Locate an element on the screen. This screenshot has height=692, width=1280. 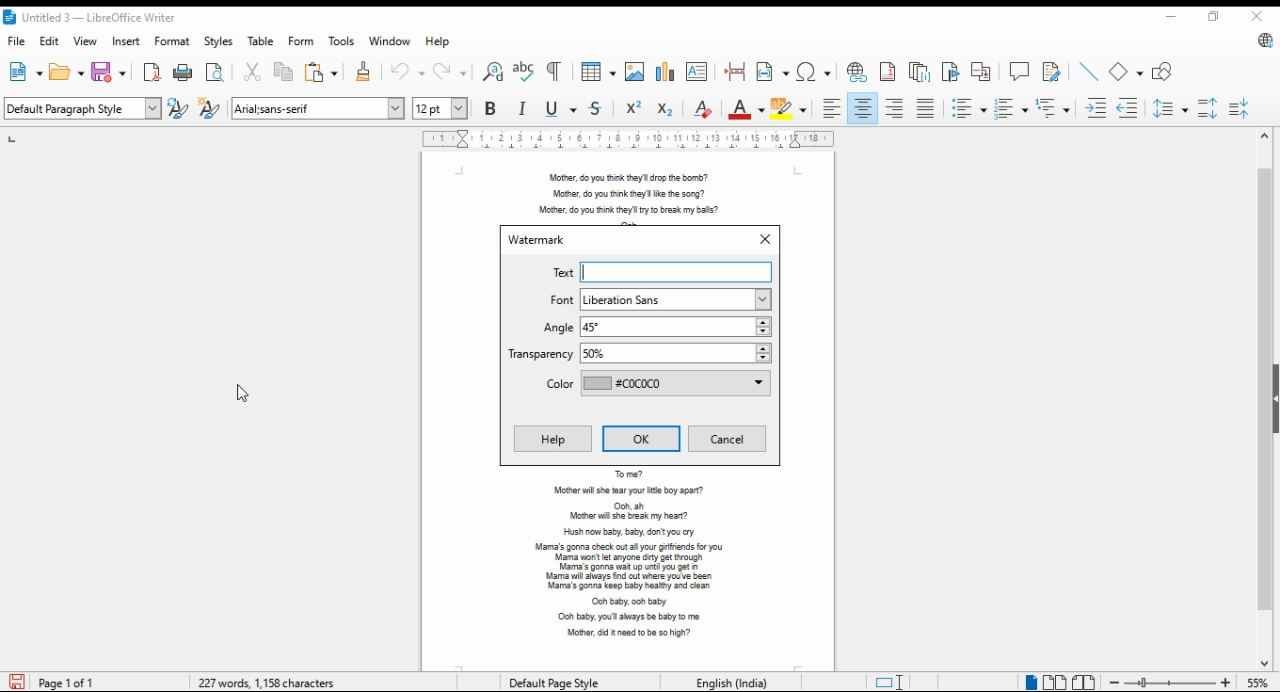
table is located at coordinates (263, 41).